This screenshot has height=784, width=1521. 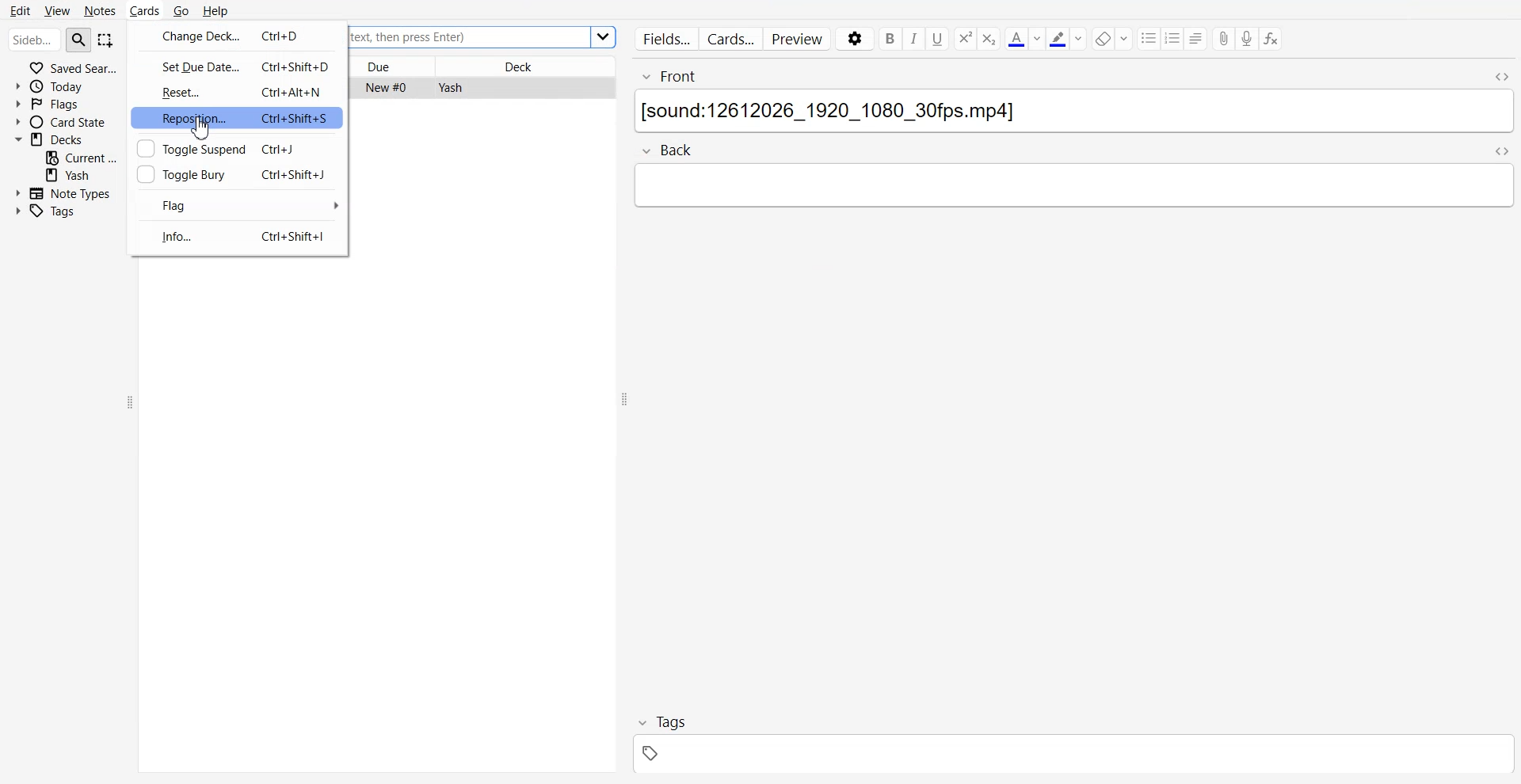 I want to click on Note Types, so click(x=63, y=192).